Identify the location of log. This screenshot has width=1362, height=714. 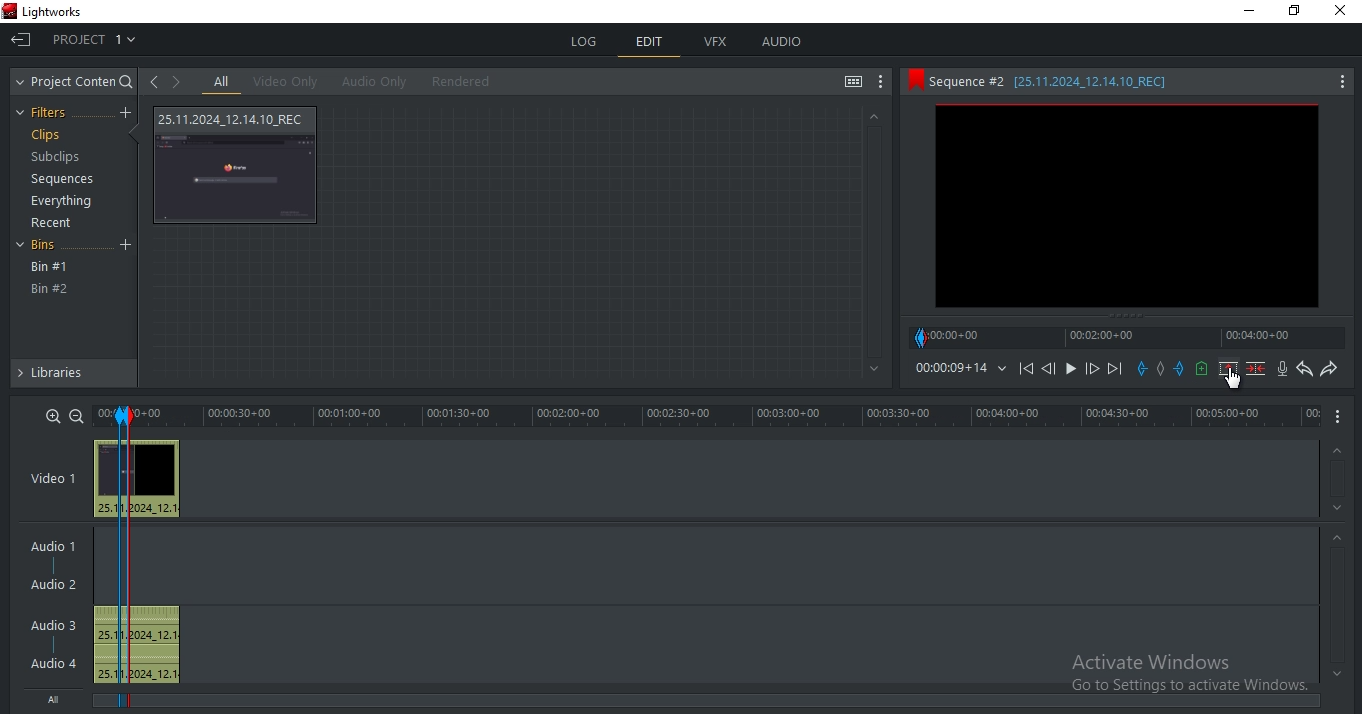
(586, 42).